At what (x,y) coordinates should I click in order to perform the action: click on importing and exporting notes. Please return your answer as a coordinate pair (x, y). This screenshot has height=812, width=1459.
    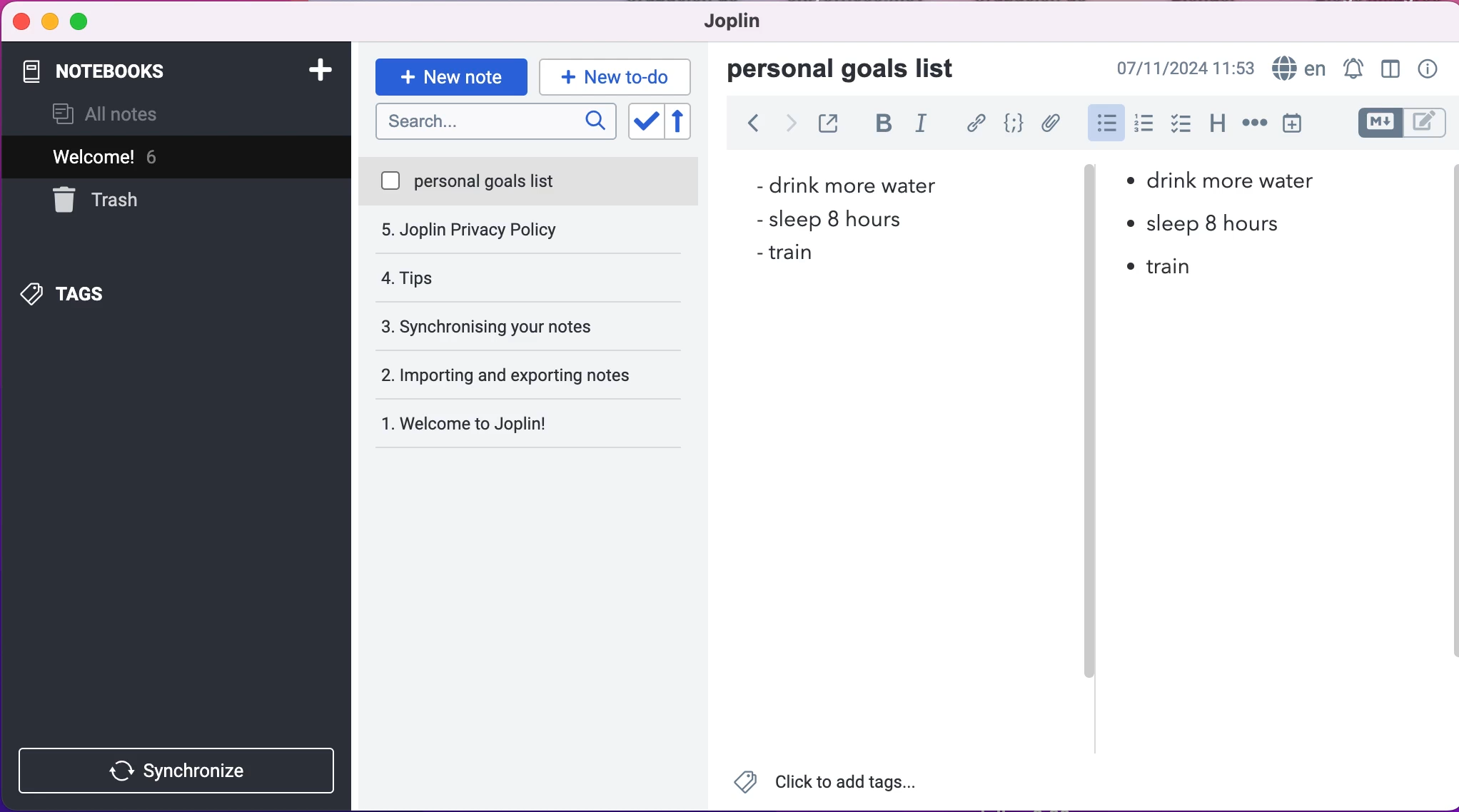
    Looking at the image, I should click on (536, 325).